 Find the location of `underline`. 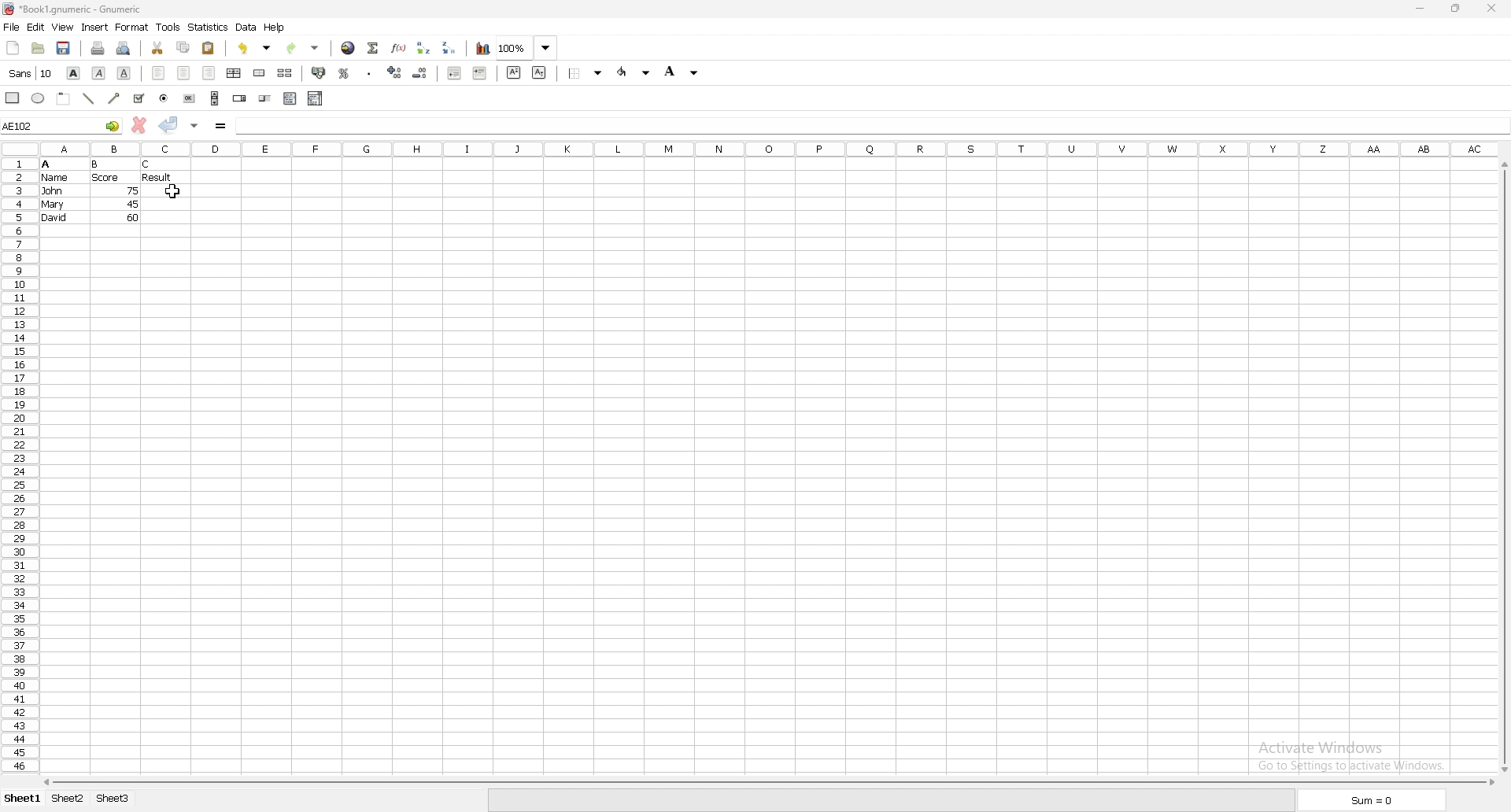

underline is located at coordinates (123, 73).